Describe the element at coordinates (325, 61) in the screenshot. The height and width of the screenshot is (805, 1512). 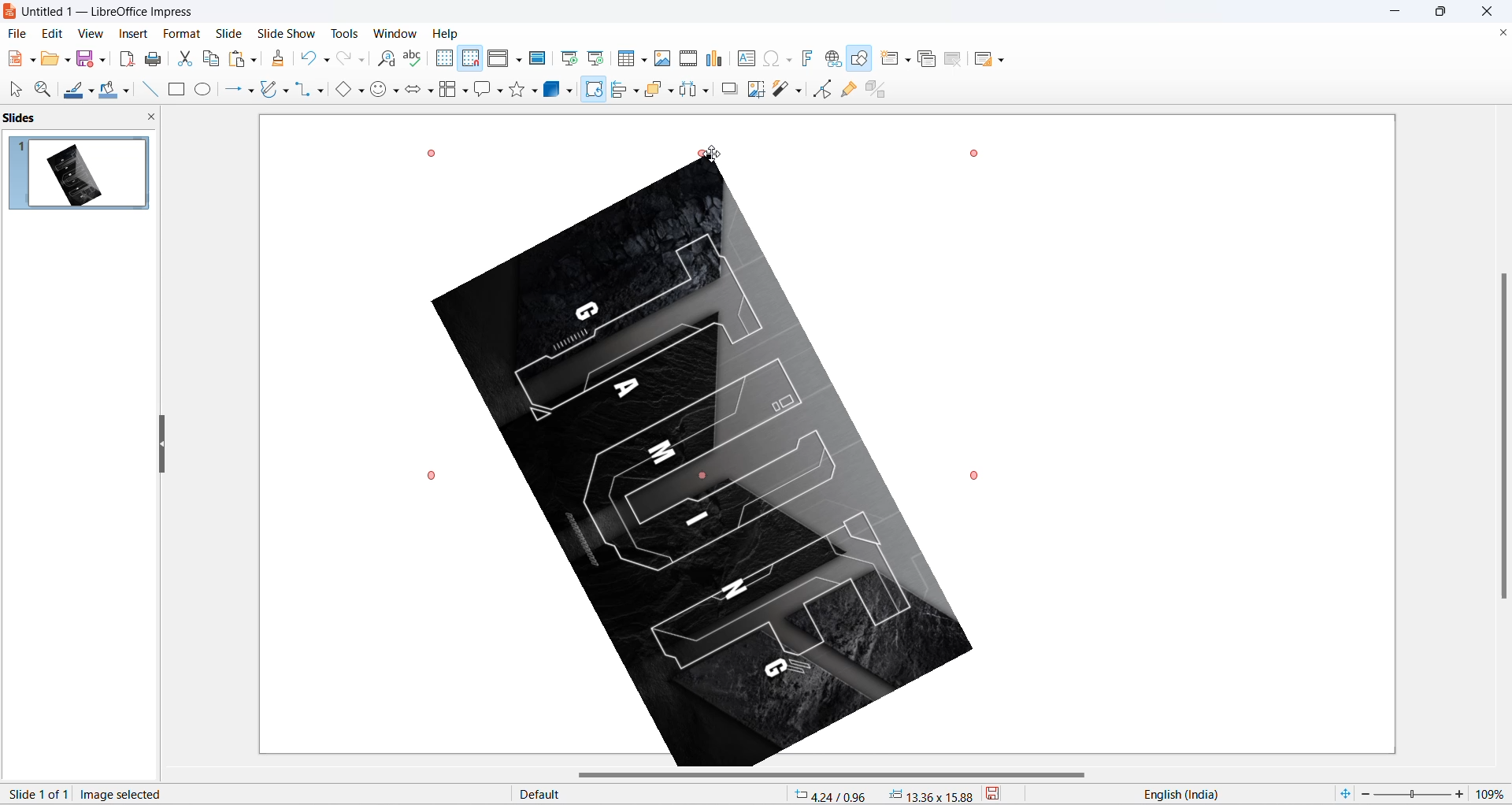
I see `undo options` at that location.